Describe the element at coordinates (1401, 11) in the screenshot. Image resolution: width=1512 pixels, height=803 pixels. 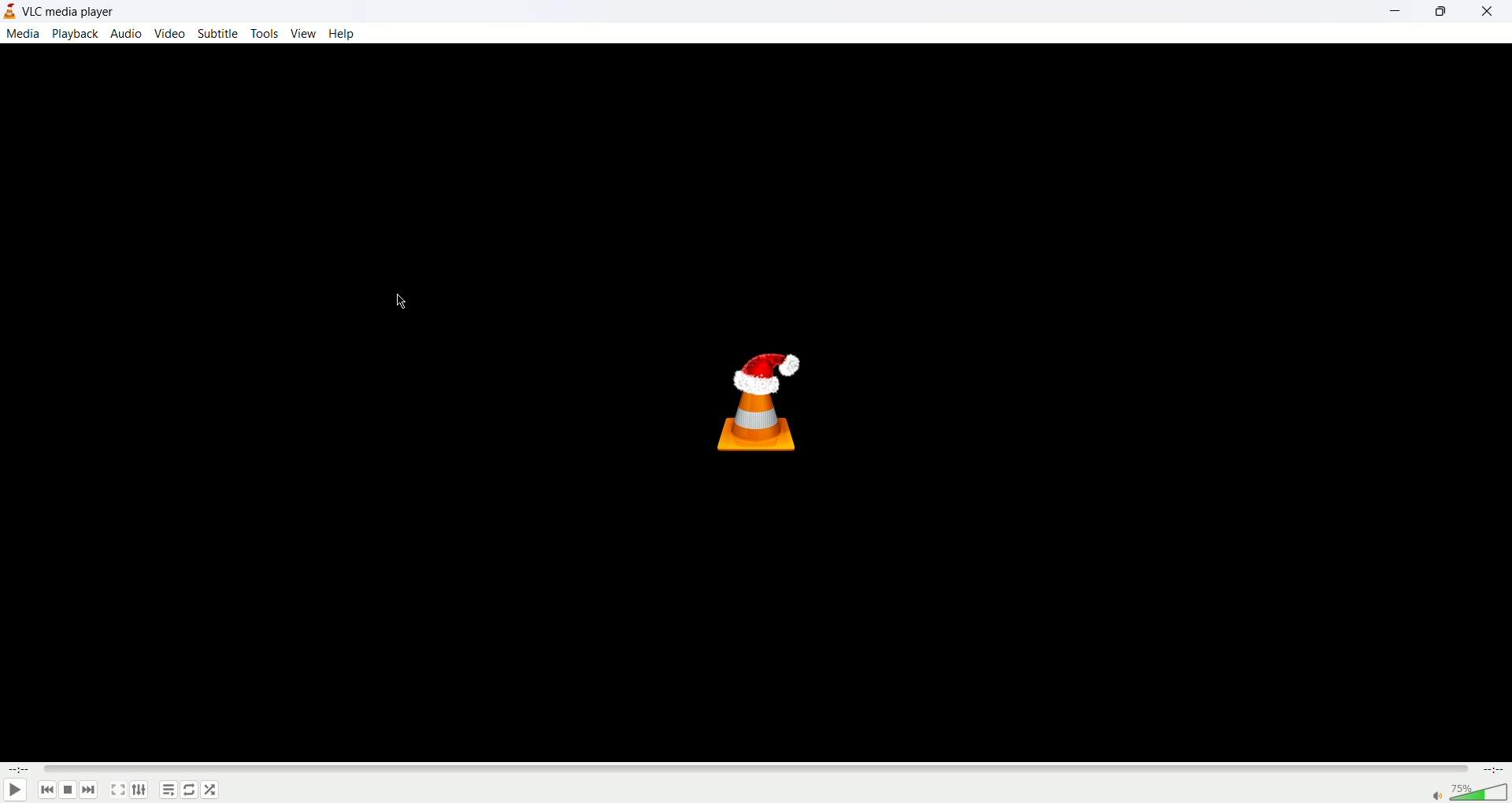
I see `minimize` at that location.